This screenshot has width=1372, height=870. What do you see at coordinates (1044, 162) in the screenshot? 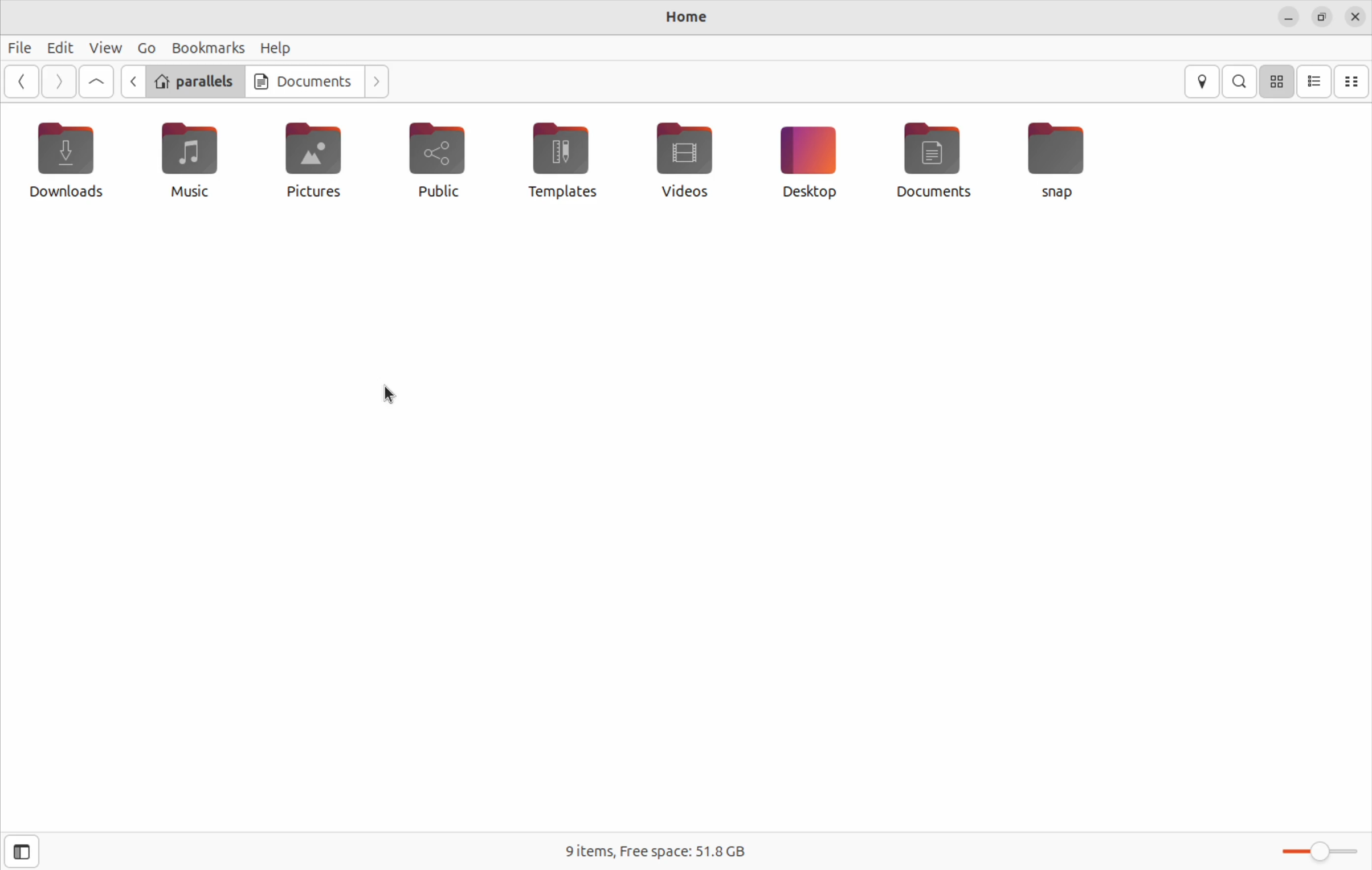
I see `Snap` at bounding box center [1044, 162].